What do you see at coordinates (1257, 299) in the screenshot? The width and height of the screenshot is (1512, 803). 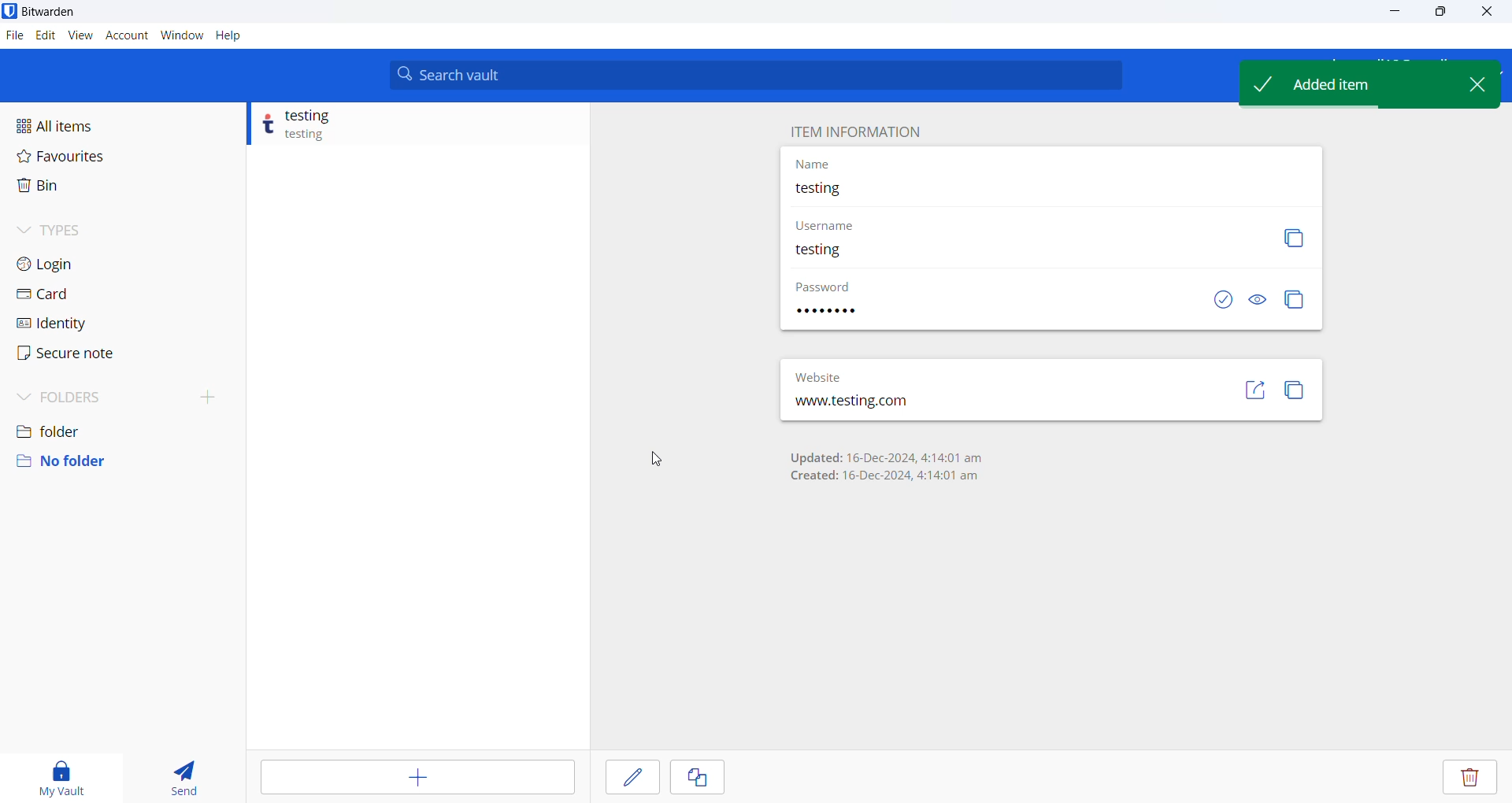 I see `show or hide` at bounding box center [1257, 299].